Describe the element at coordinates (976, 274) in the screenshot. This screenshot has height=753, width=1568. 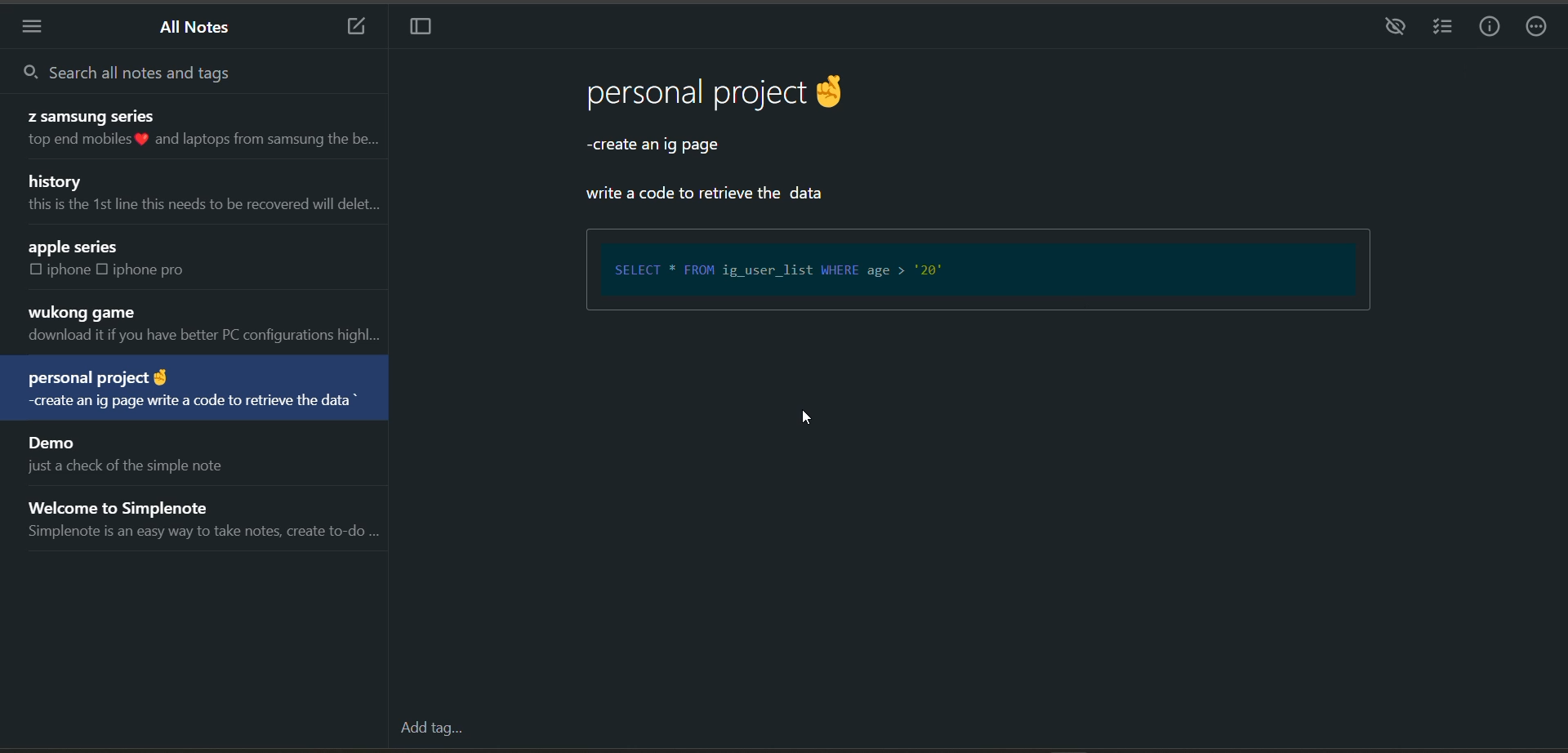
I see `data in code block` at that location.